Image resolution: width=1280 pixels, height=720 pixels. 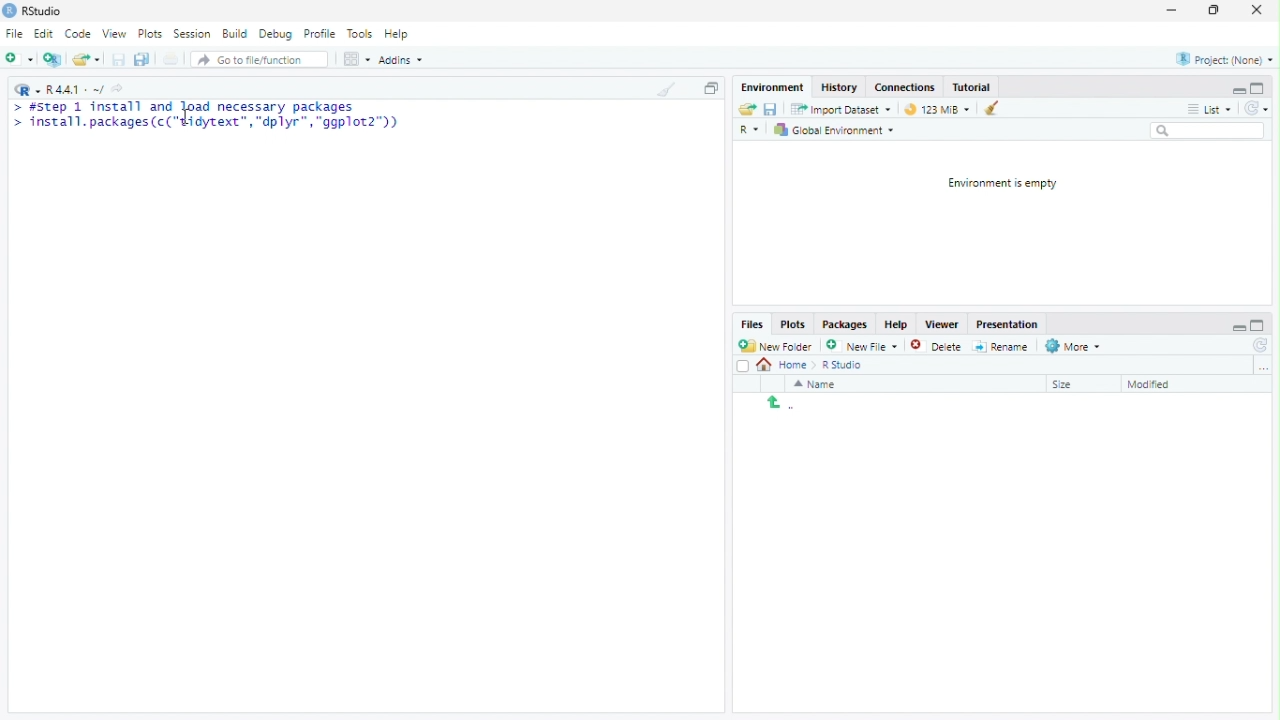 I want to click on More, so click(x=1075, y=347).